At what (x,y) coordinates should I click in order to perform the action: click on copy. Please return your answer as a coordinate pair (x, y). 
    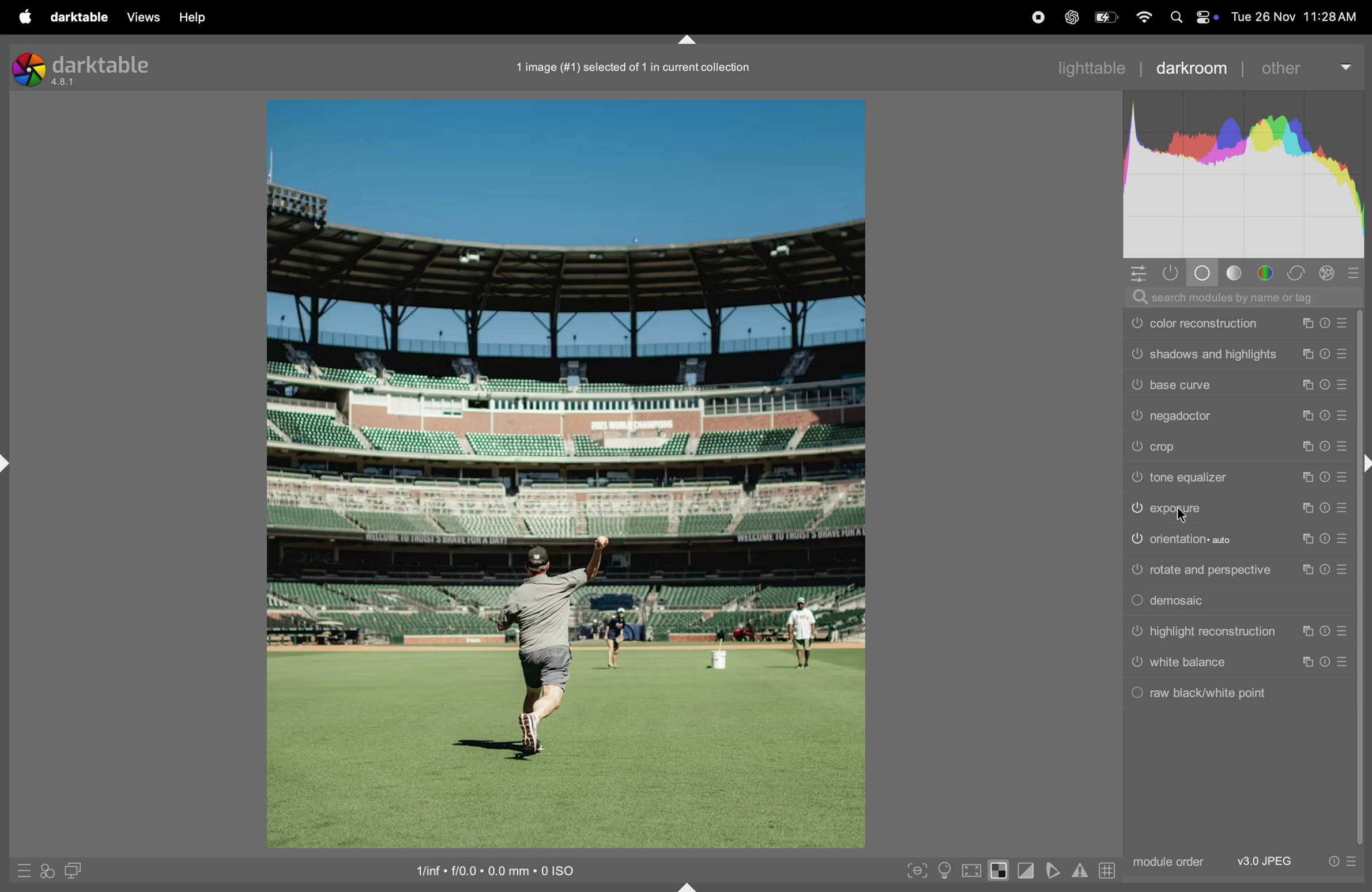
    Looking at the image, I should click on (1308, 354).